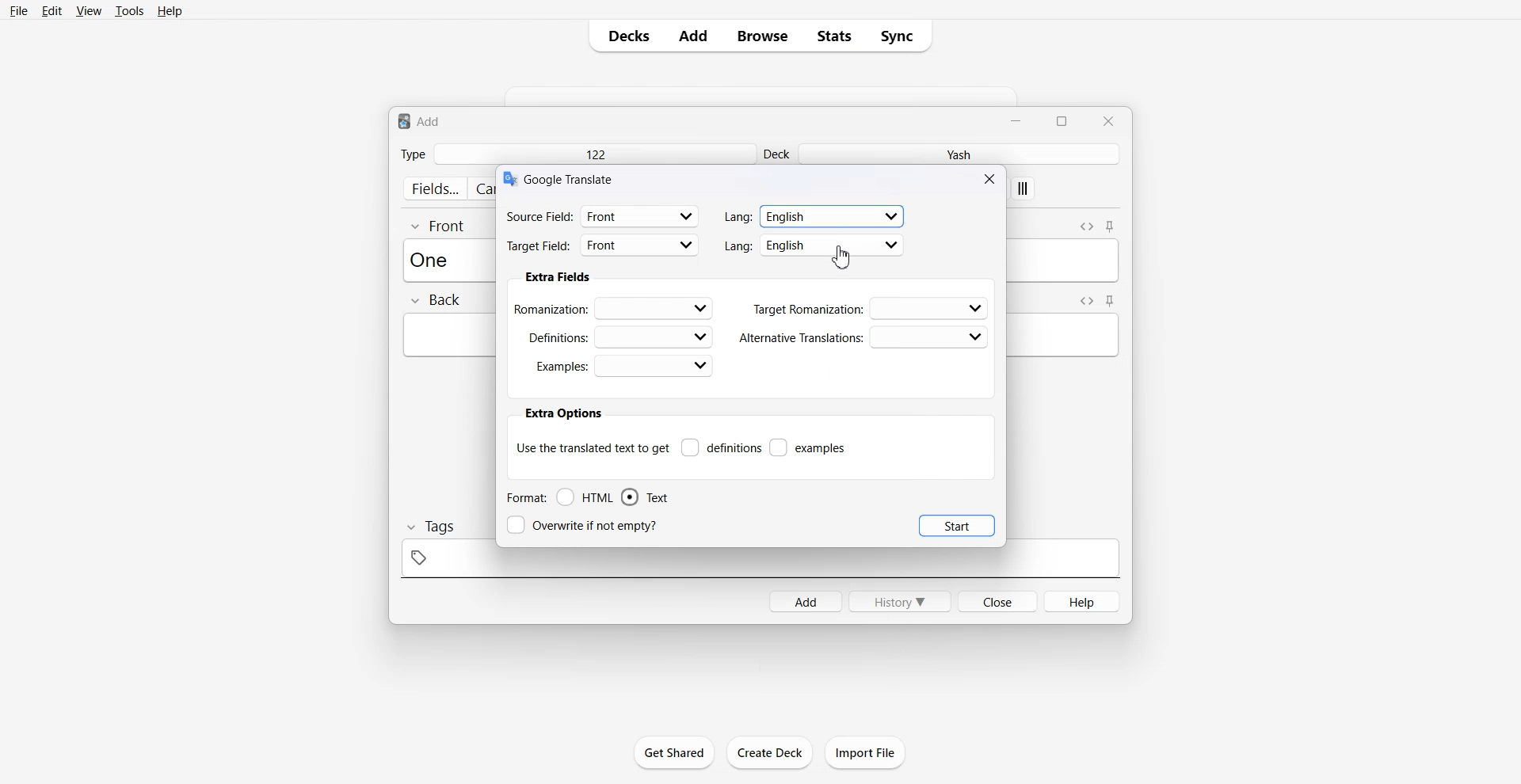  What do you see at coordinates (618, 336) in the screenshot?
I see `Definations` at bounding box center [618, 336].